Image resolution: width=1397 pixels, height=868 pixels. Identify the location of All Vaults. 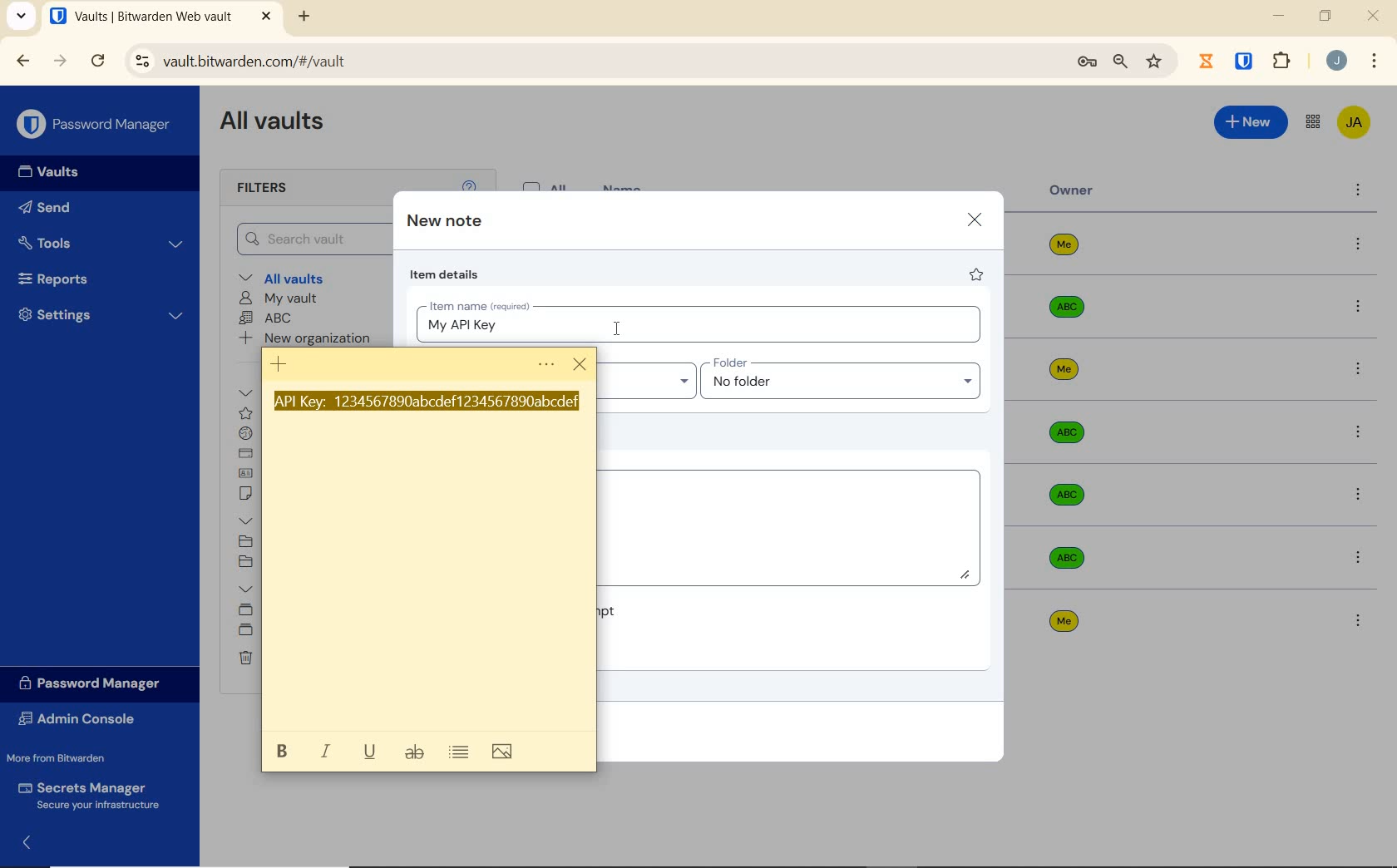
(279, 126).